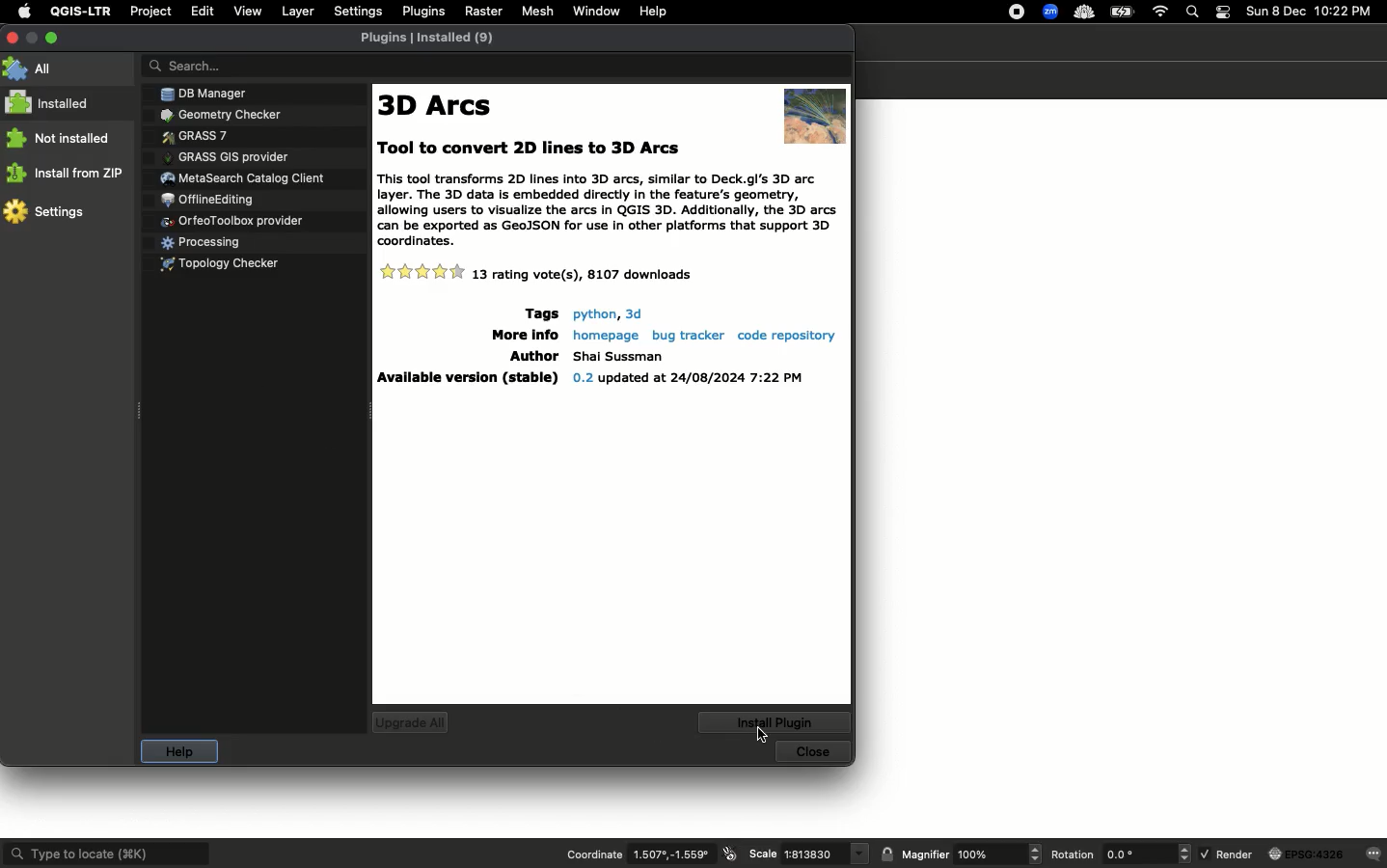  I want to click on recording, so click(1012, 12).